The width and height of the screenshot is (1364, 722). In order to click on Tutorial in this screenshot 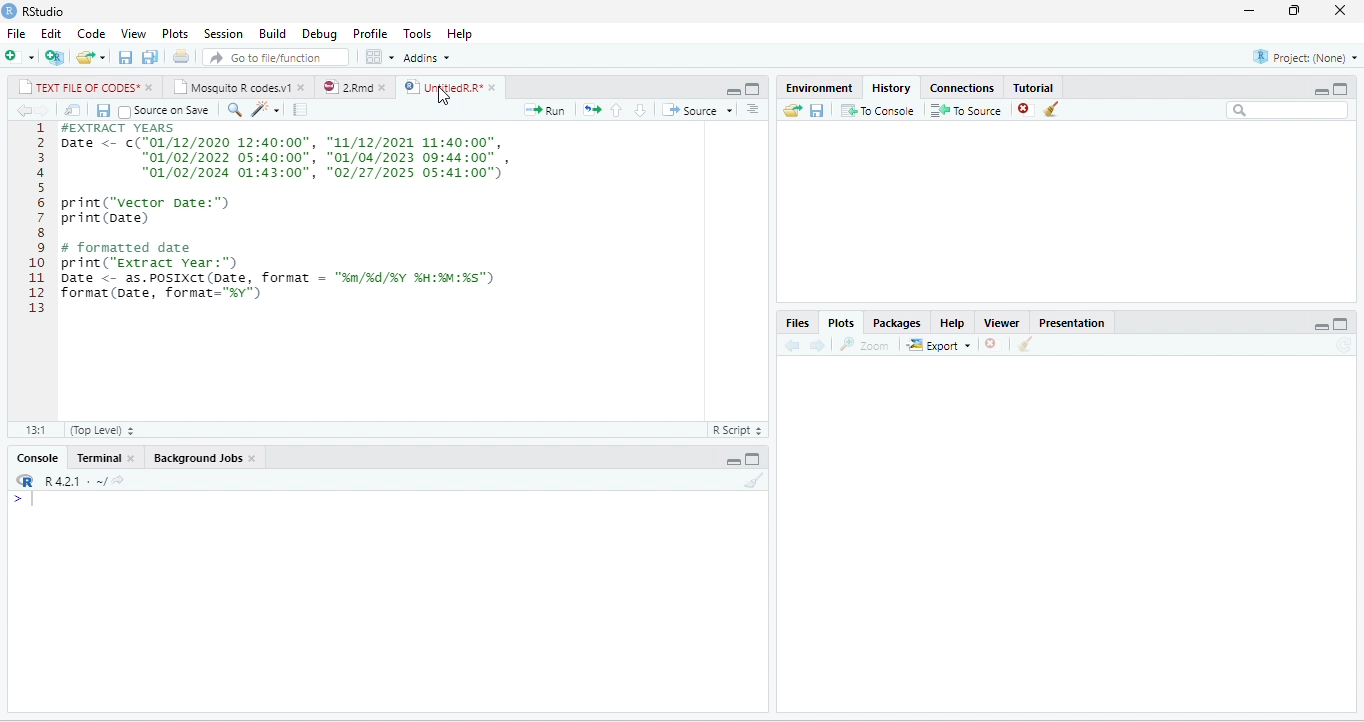, I will do `click(1034, 88)`.